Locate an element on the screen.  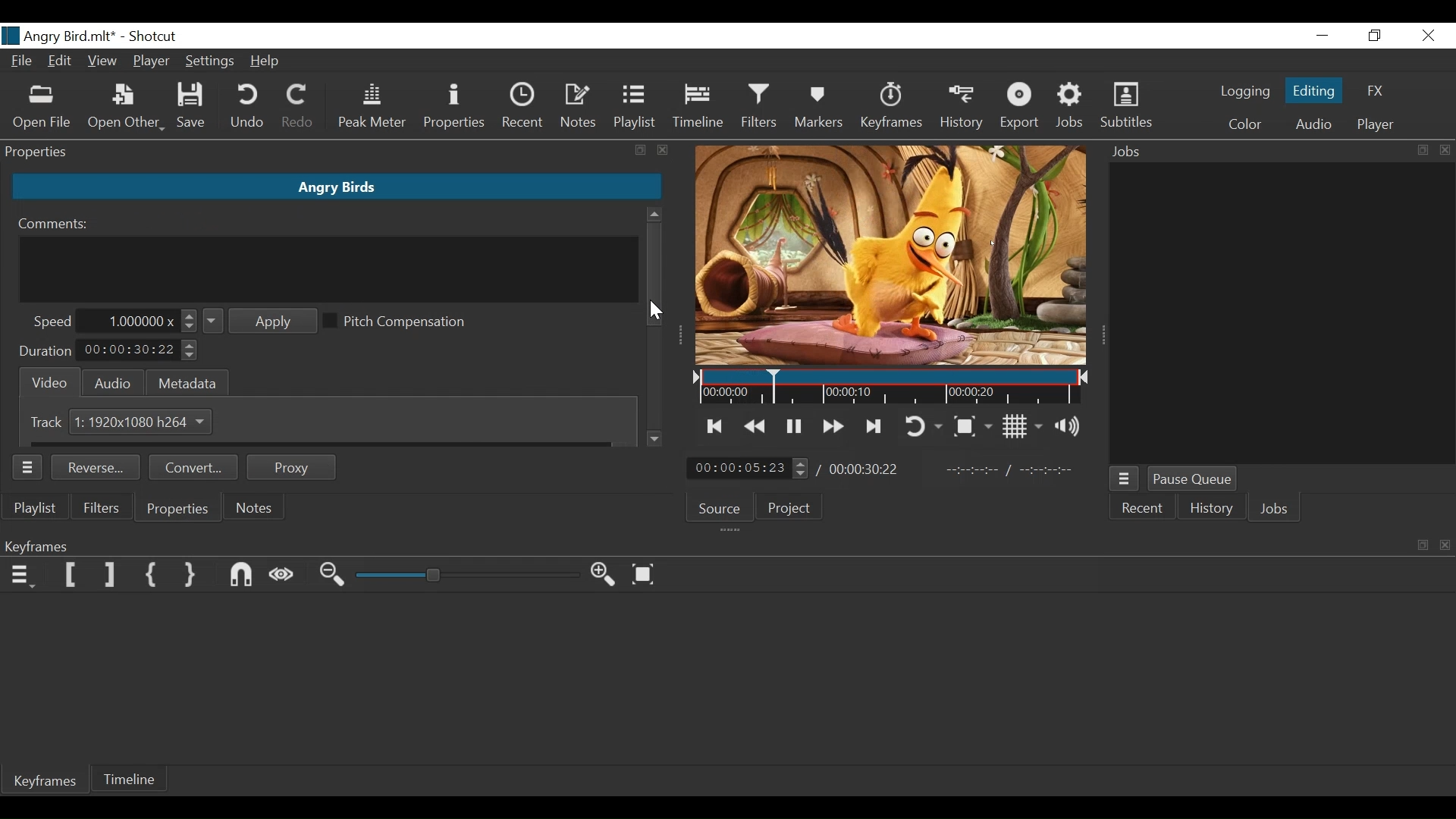
Zoom timeline in is located at coordinates (604, 574).